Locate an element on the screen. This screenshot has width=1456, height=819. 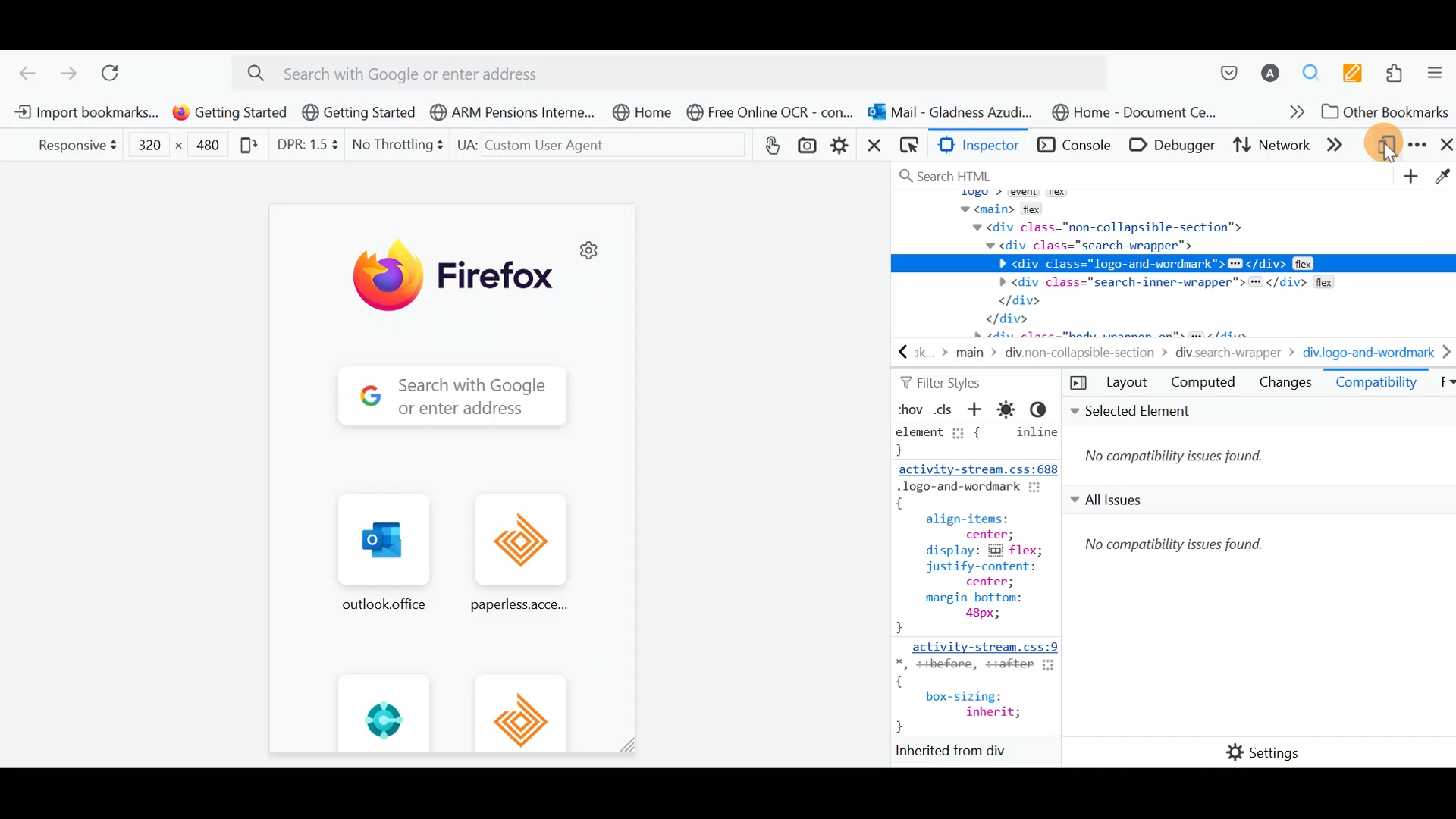
settings is located at coordinates (842, 145).